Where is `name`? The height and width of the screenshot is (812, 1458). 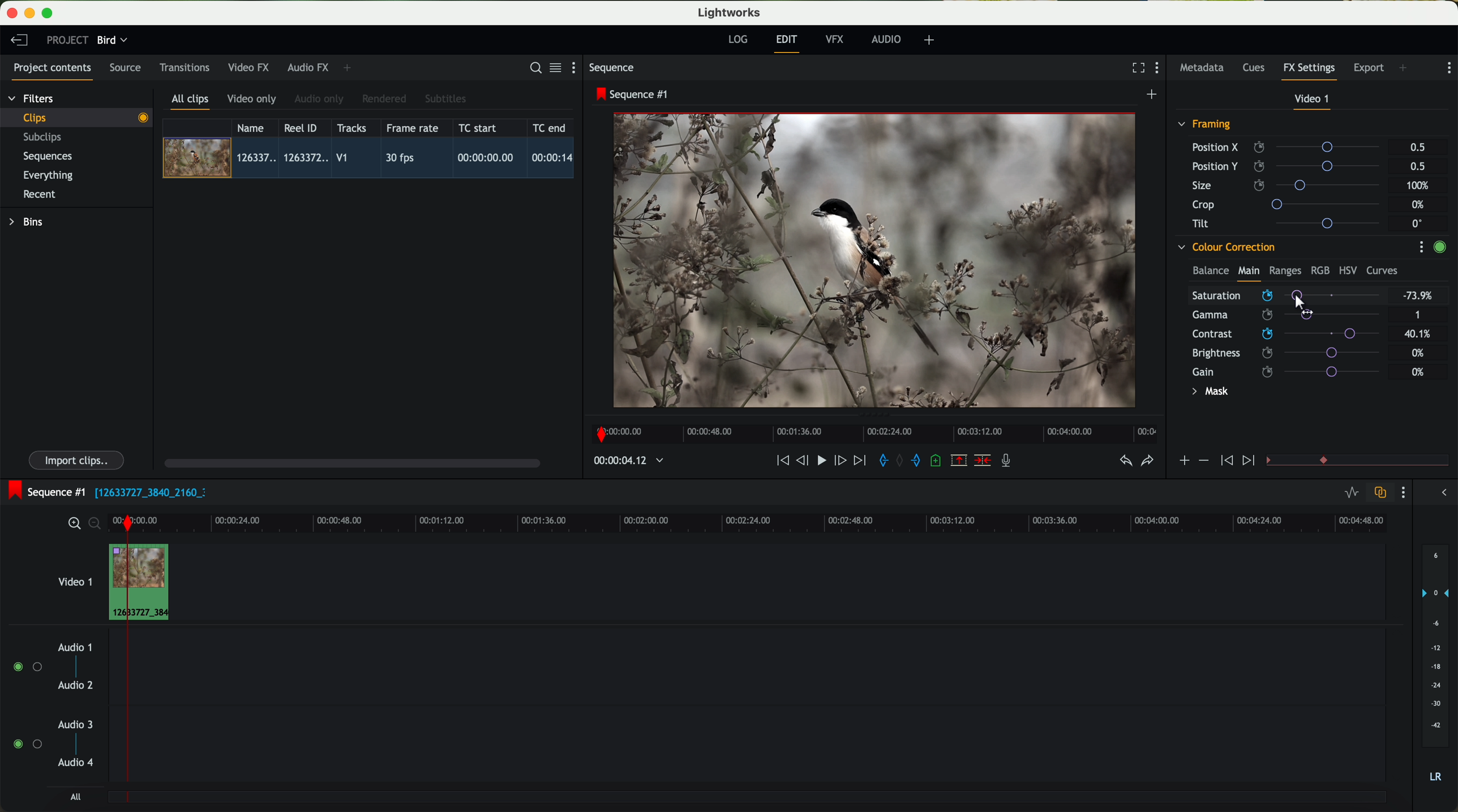
name is located at coordinates (255, 128).